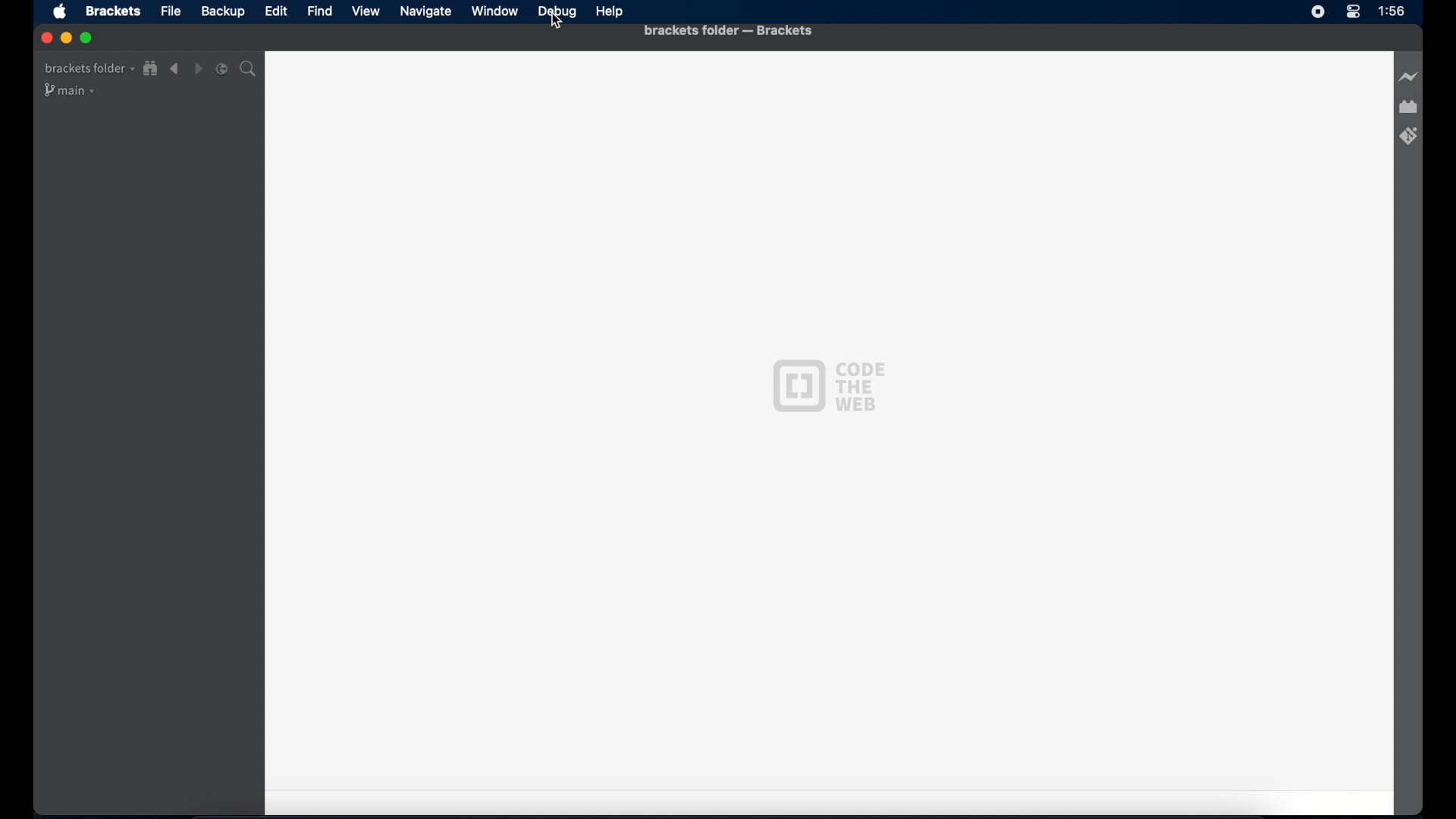  Describe the element at coordinates (1353, 12) in the screenshot. I see `control center` at that location.